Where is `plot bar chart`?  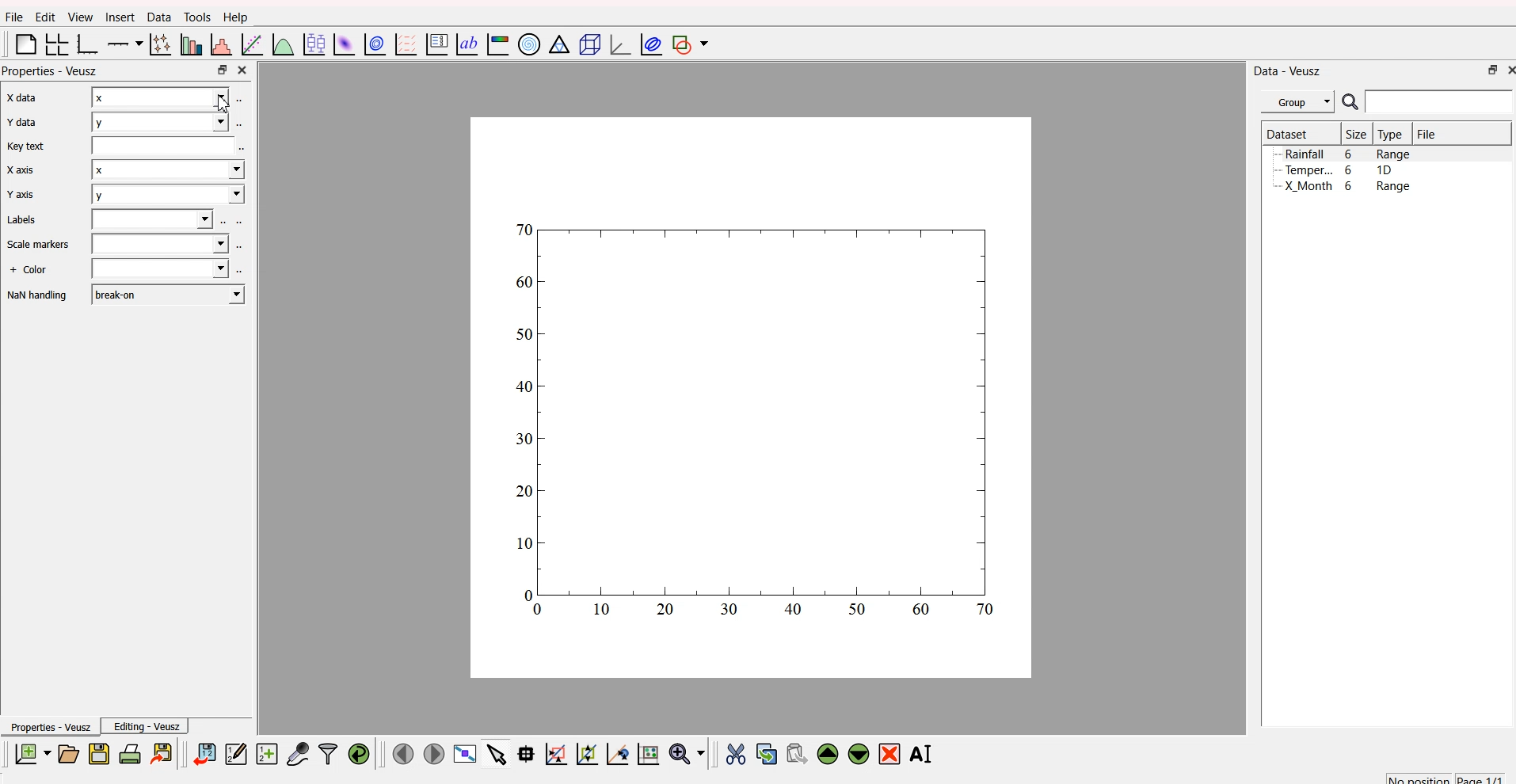 plot bar chart is located at coordinates (189, 44).